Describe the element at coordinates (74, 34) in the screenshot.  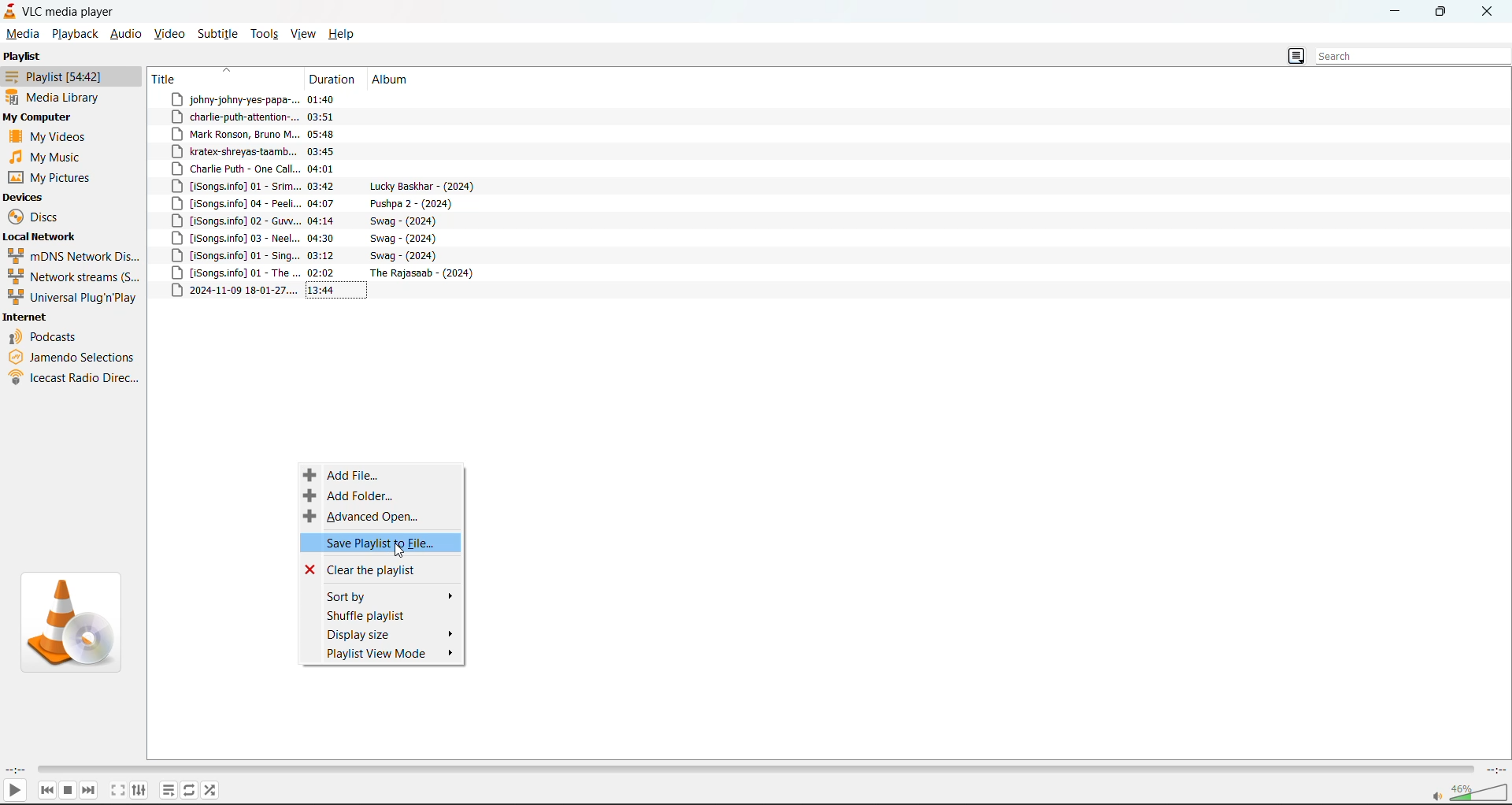
I see `playback` at that location.